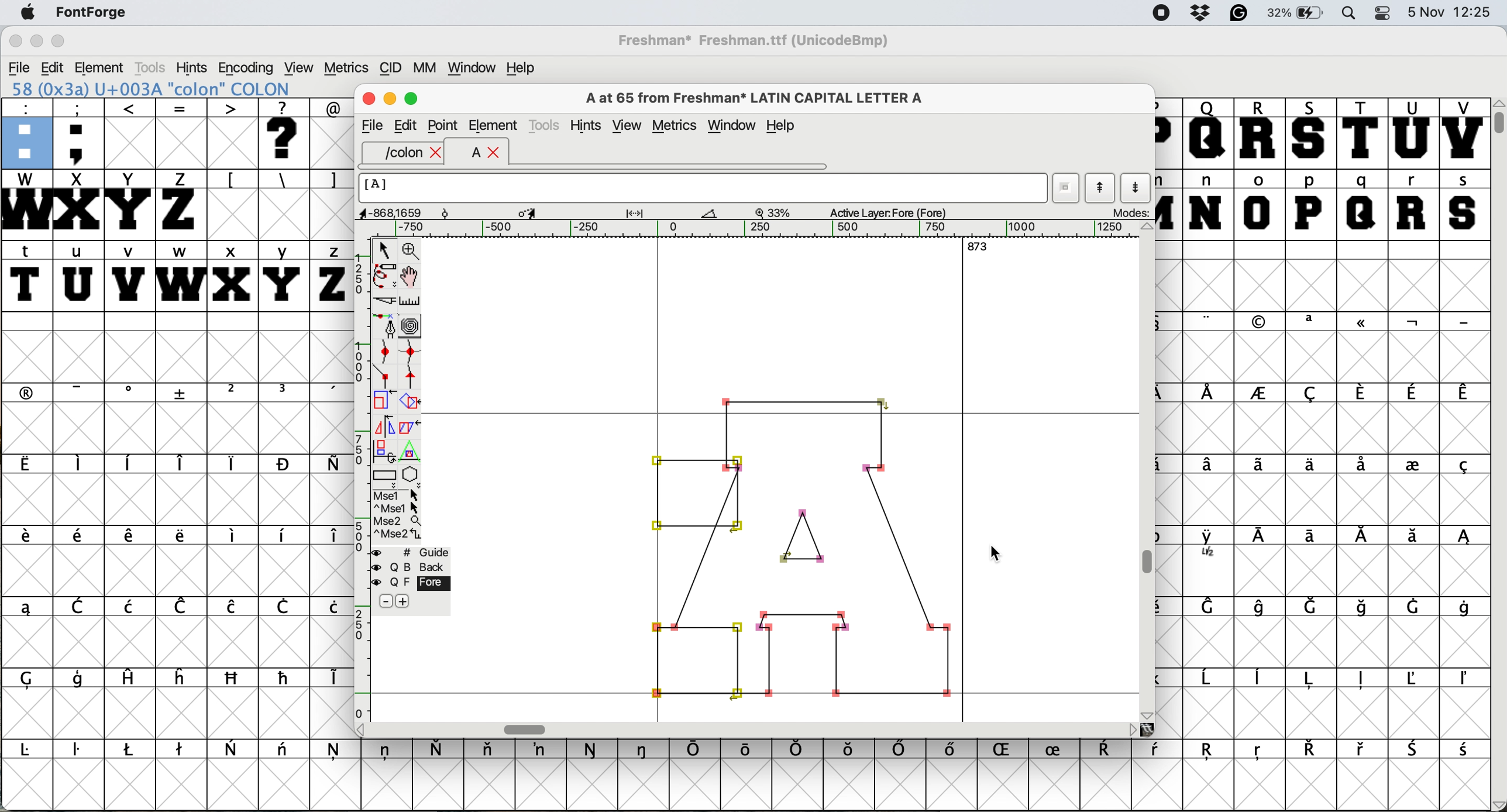 The image size is (1507, 812). I want to click on ;, so click(80, 133).